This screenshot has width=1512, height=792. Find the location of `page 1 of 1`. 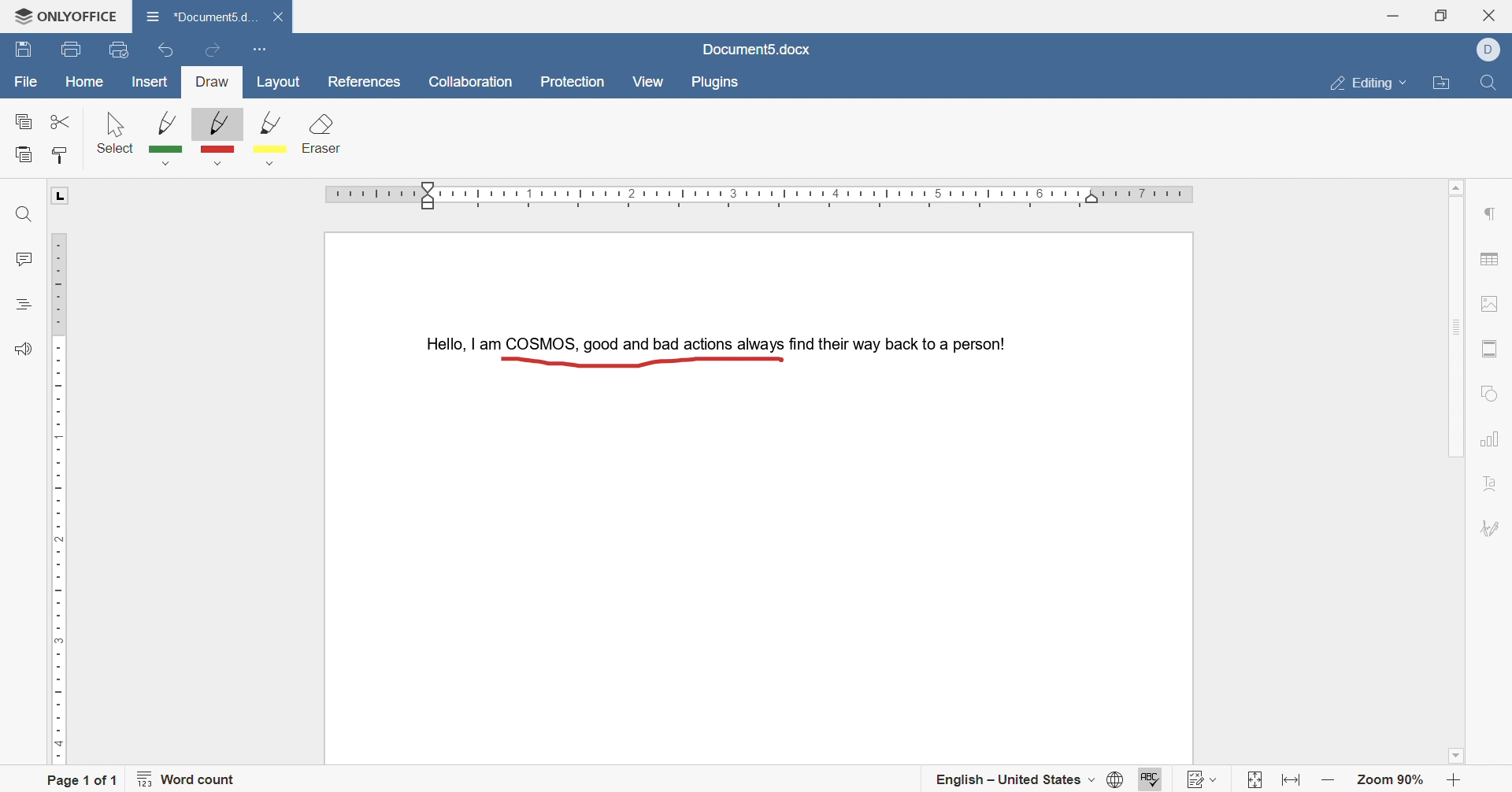

page 1 of 1 is located at coordinates (83, 779).